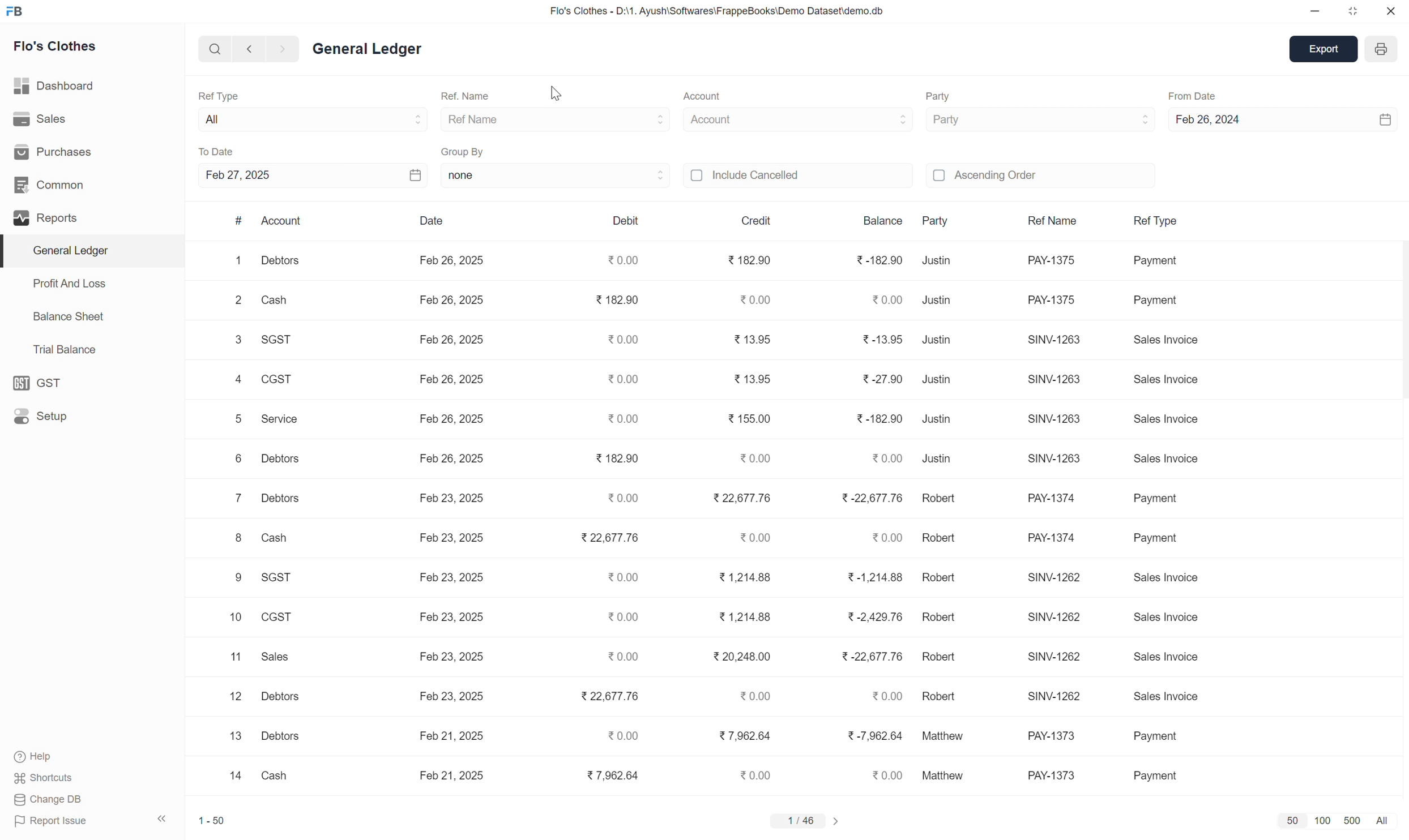 Image resolution: width=1409 pixels, height=840 pixels. Describe the element at coordinates (463, 152) in the screenshot. I see `group by` at that location.